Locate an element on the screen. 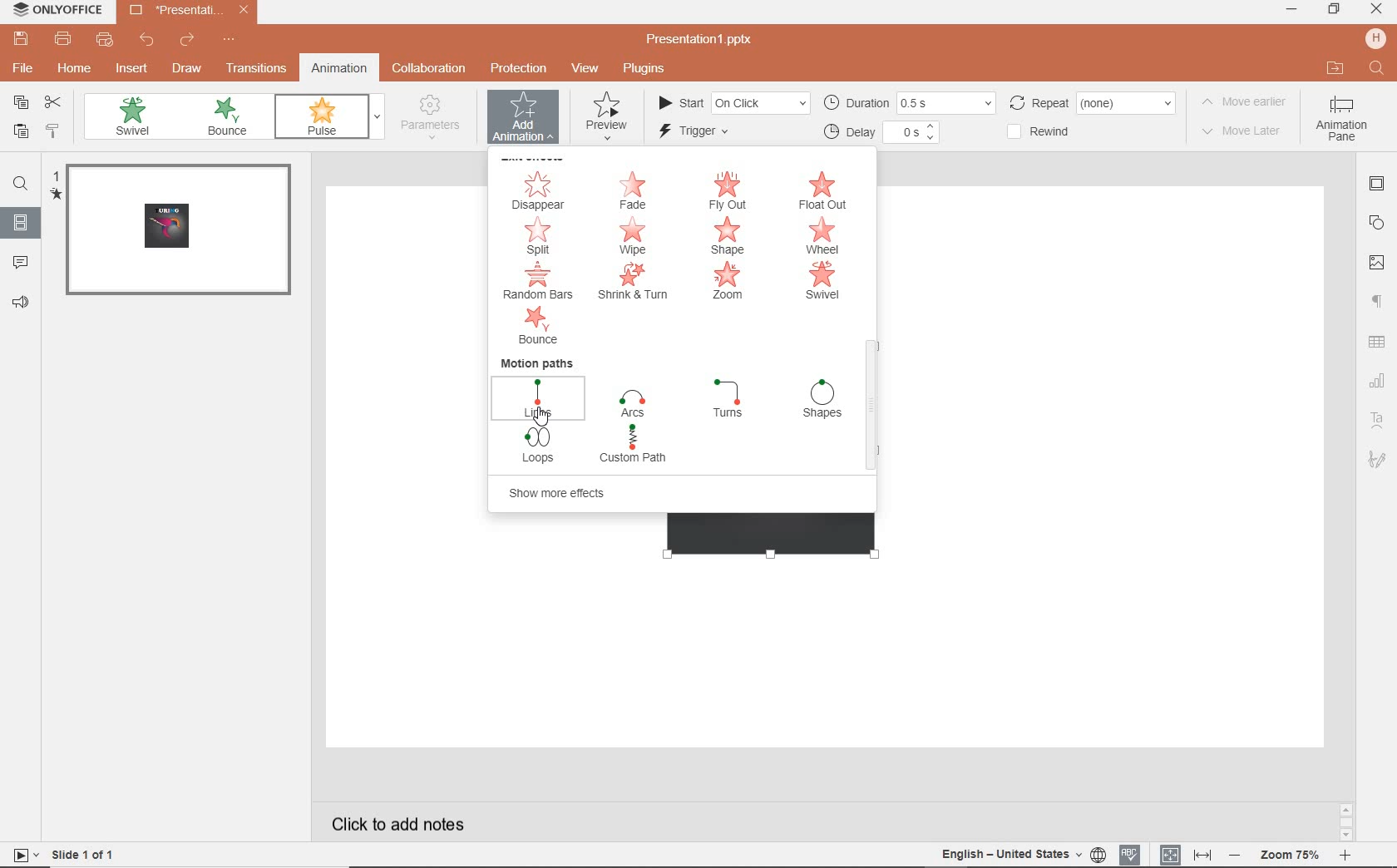 Image resolution: width=1397 pixels, height=868 pixels. swivel is located at coordinates (823, 282).